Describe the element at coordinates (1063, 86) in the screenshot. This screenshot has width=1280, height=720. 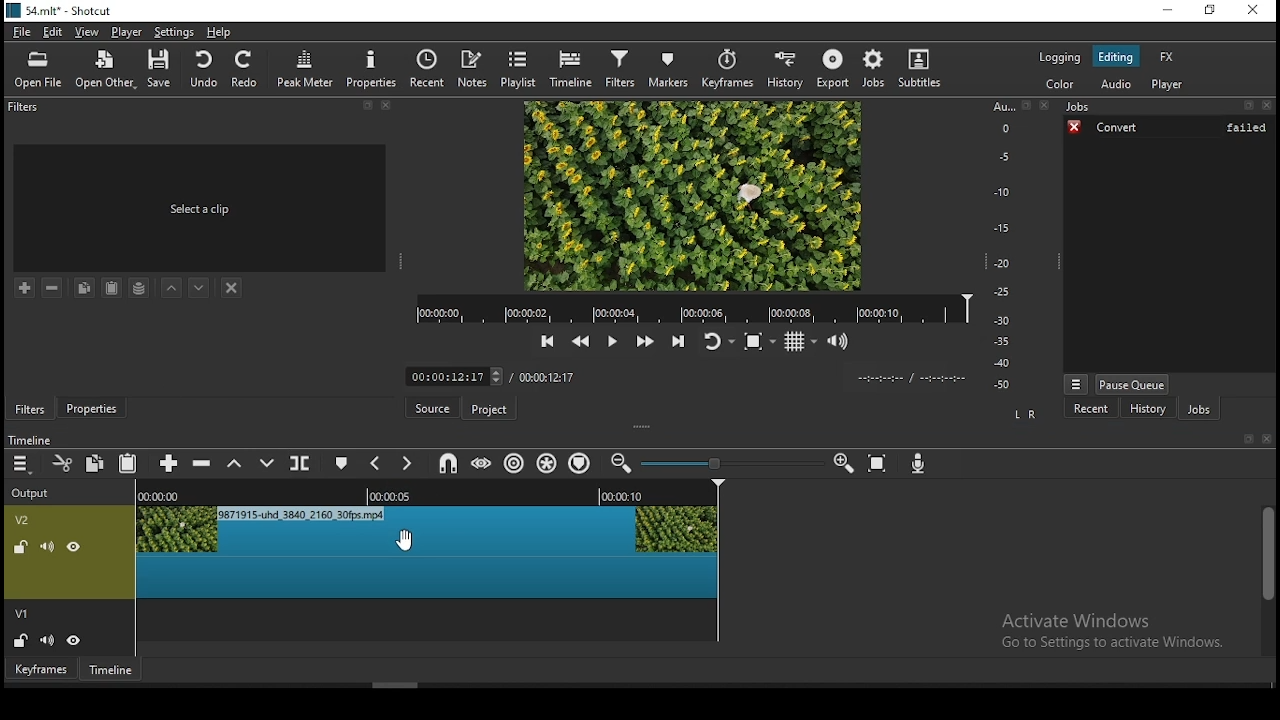
I see `color` at that location.